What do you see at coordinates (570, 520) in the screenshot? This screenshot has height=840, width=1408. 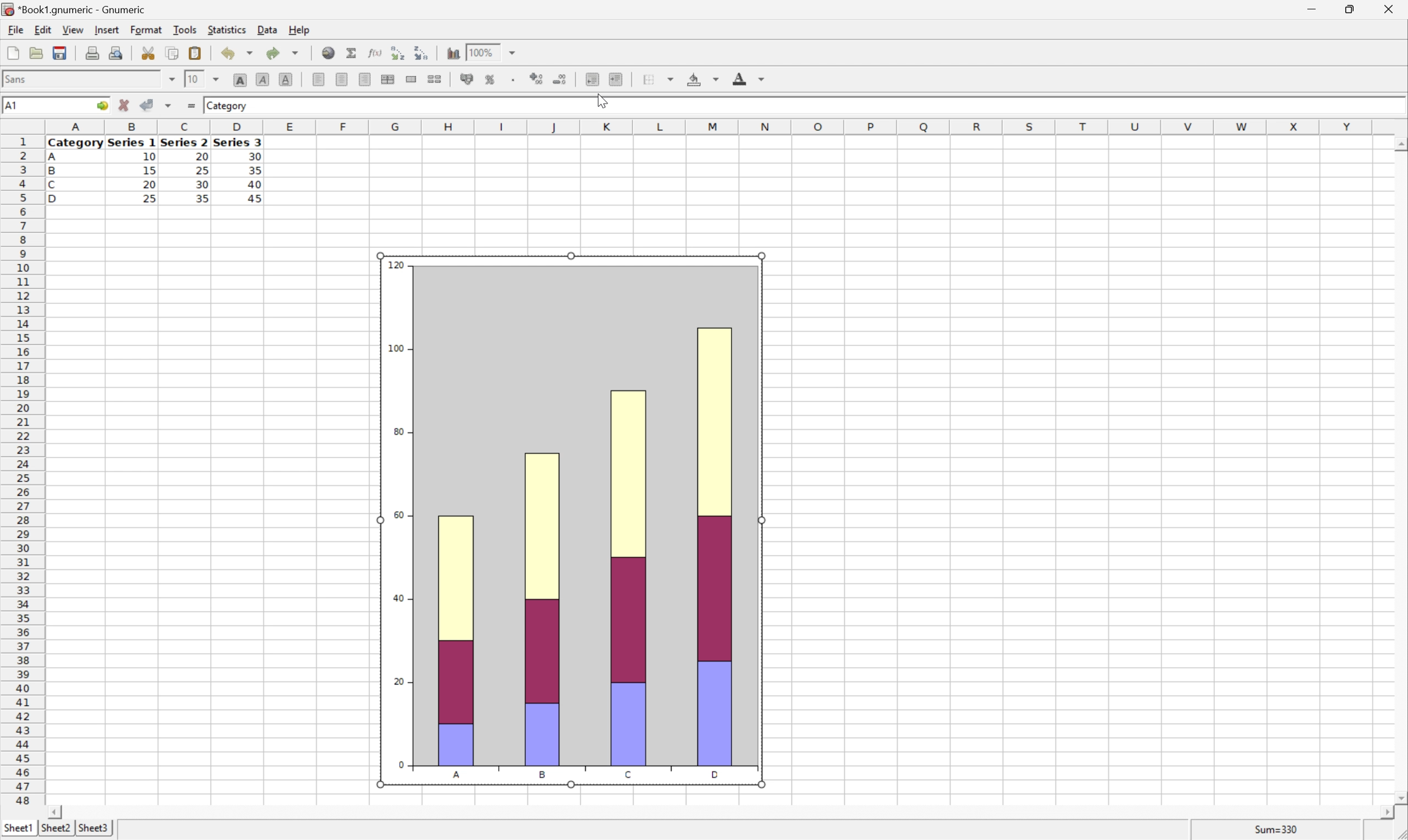 I see `Chart` at bounding box center [570, 520].